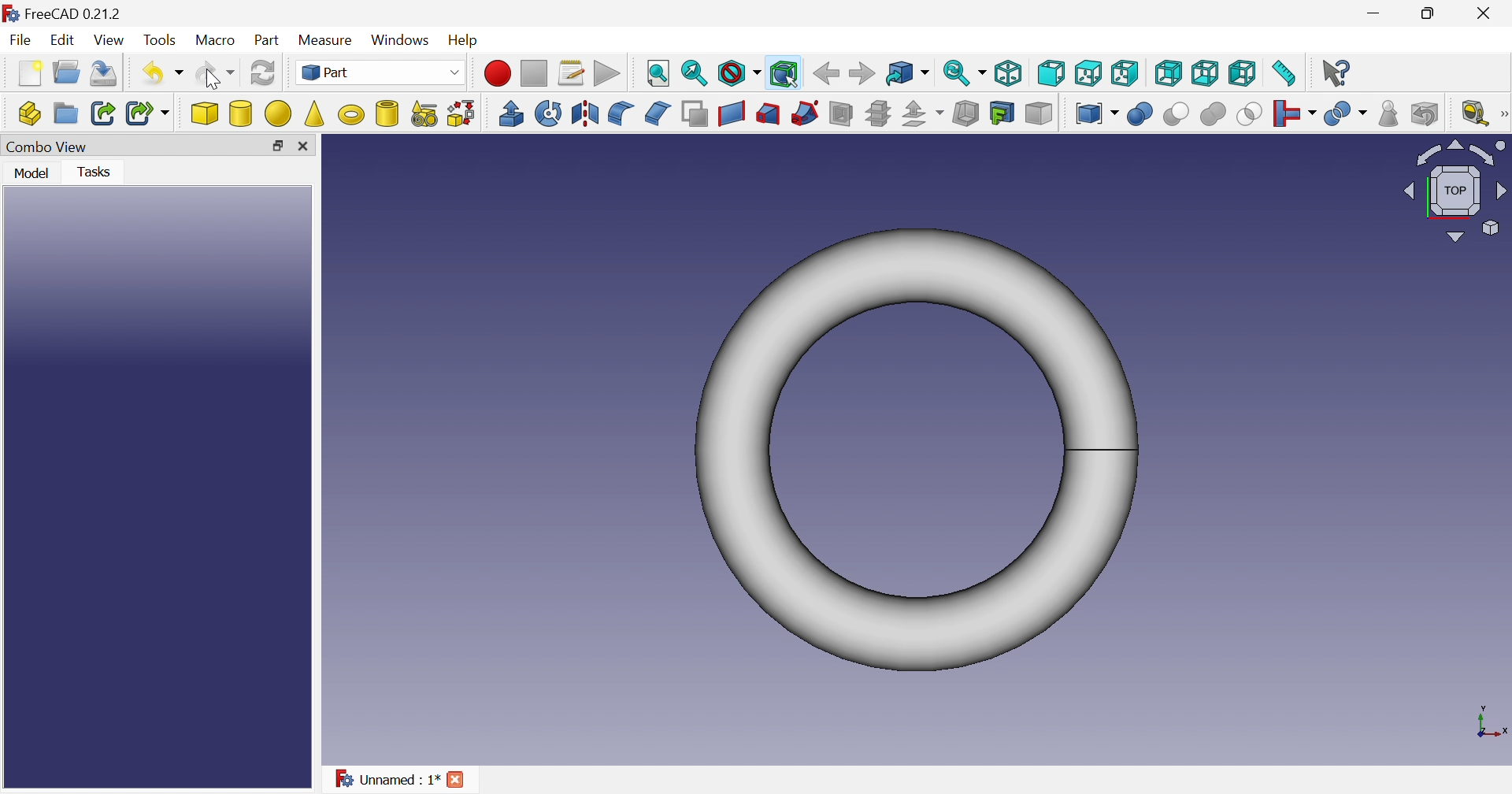 This screenshot has width=1512, height=794. What do you see at coordinates (511, 113) in the screenshot?
I see `Extrude...` at bounding box center [511, 113].